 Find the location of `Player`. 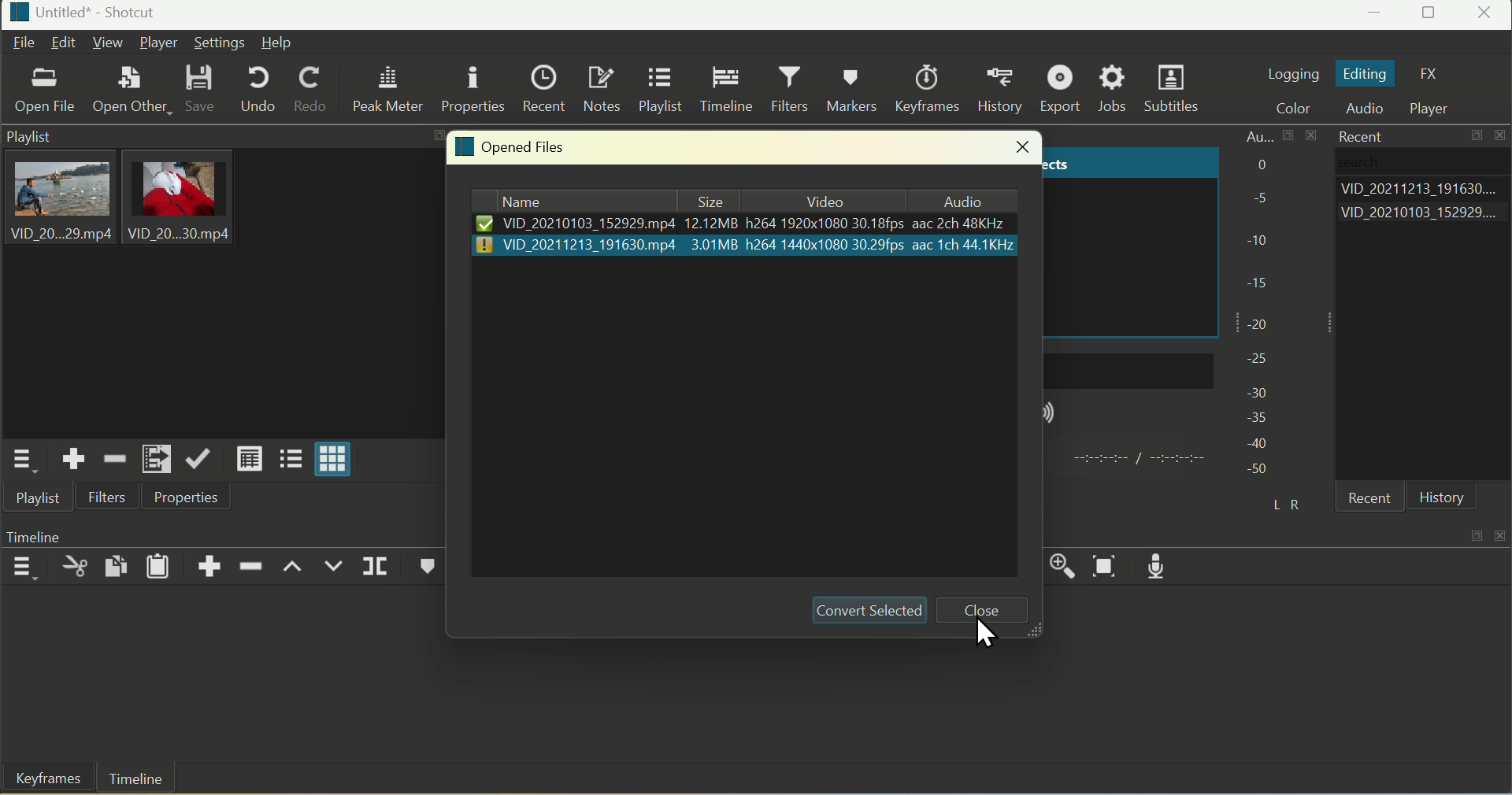

Player is located at coordinates (161, 43).